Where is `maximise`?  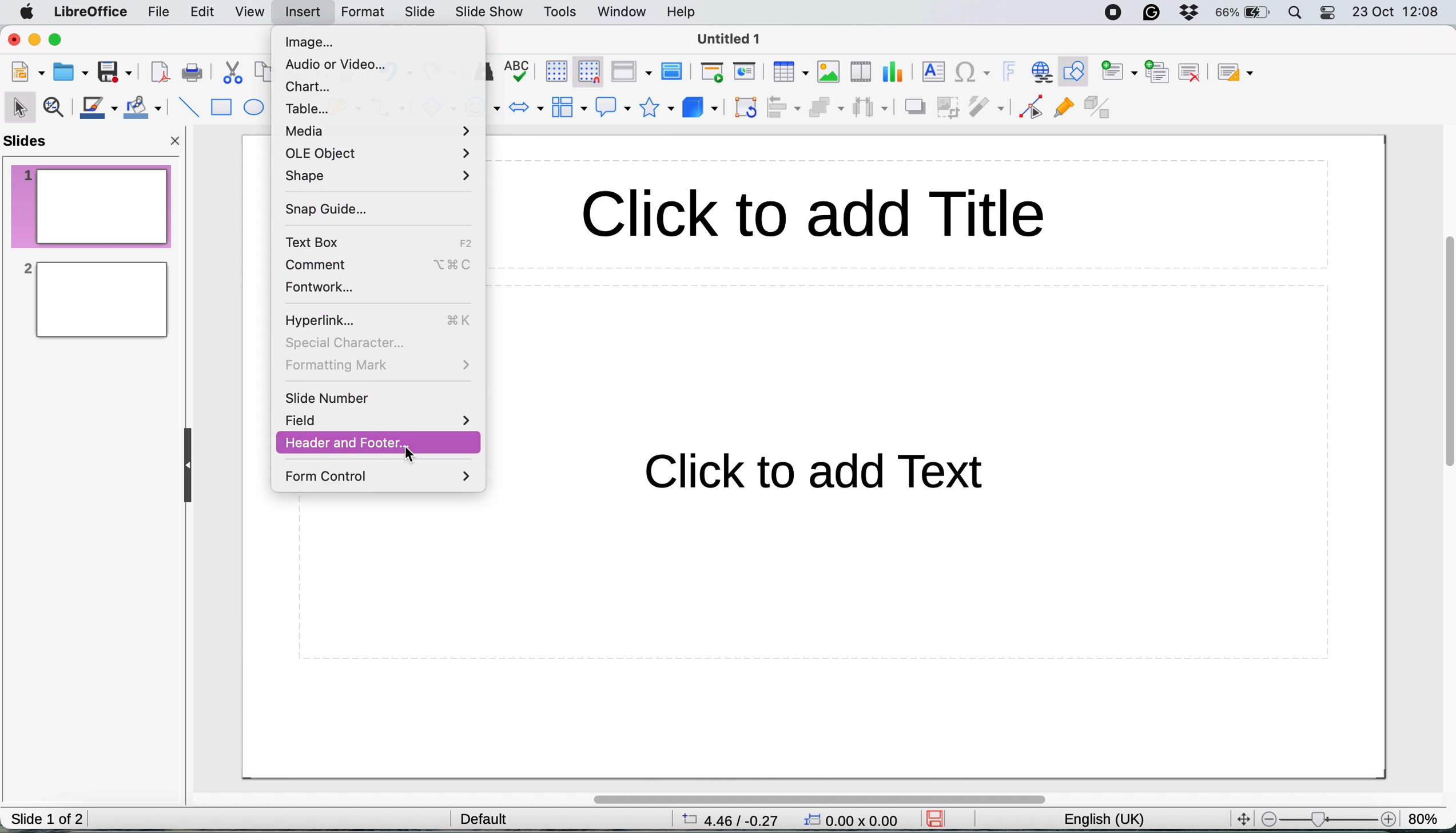
maximise is located at coordinates (61, 41).